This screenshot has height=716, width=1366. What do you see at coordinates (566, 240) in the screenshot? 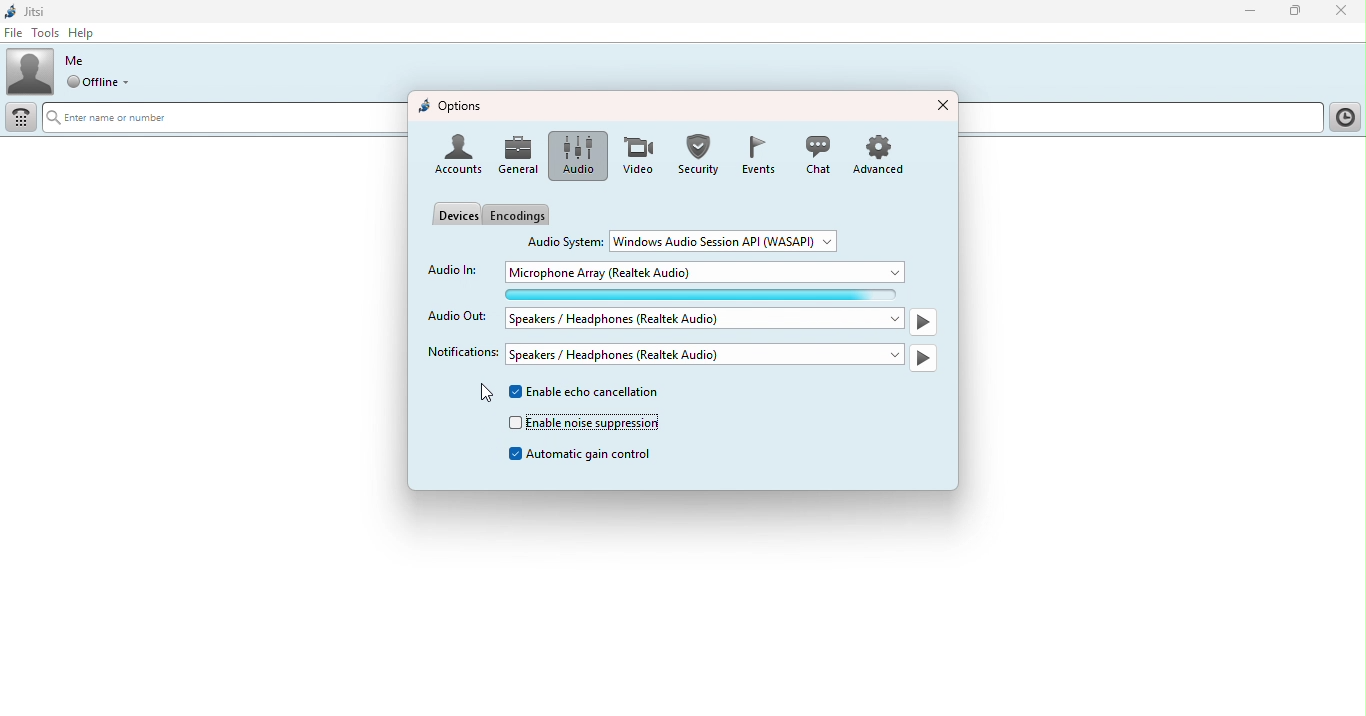
I see `Audio System` at bounding box center [566, 240].